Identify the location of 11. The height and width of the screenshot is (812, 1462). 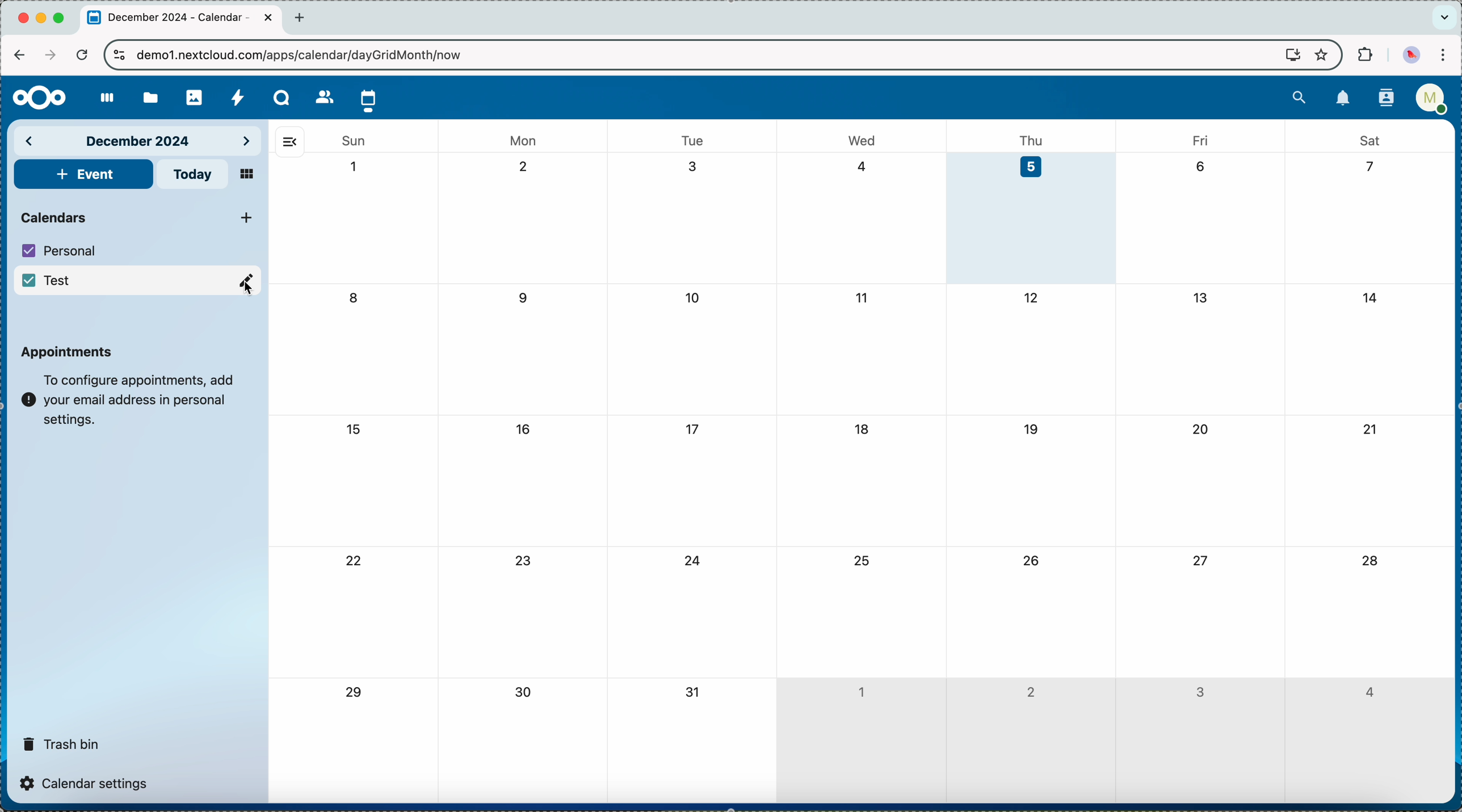
(860, 297).